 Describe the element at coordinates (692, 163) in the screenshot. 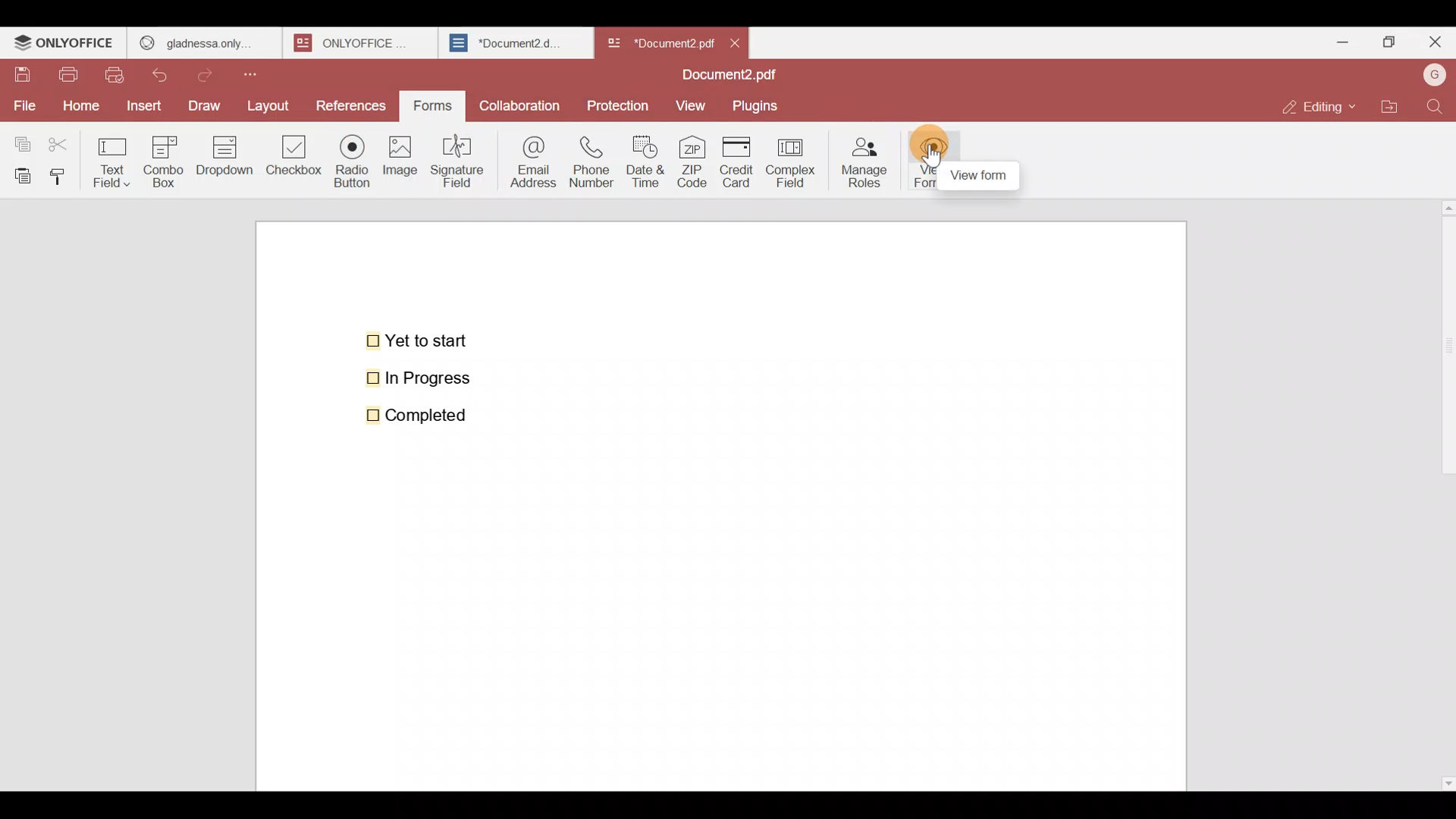

I see `ZIP code` at that location.